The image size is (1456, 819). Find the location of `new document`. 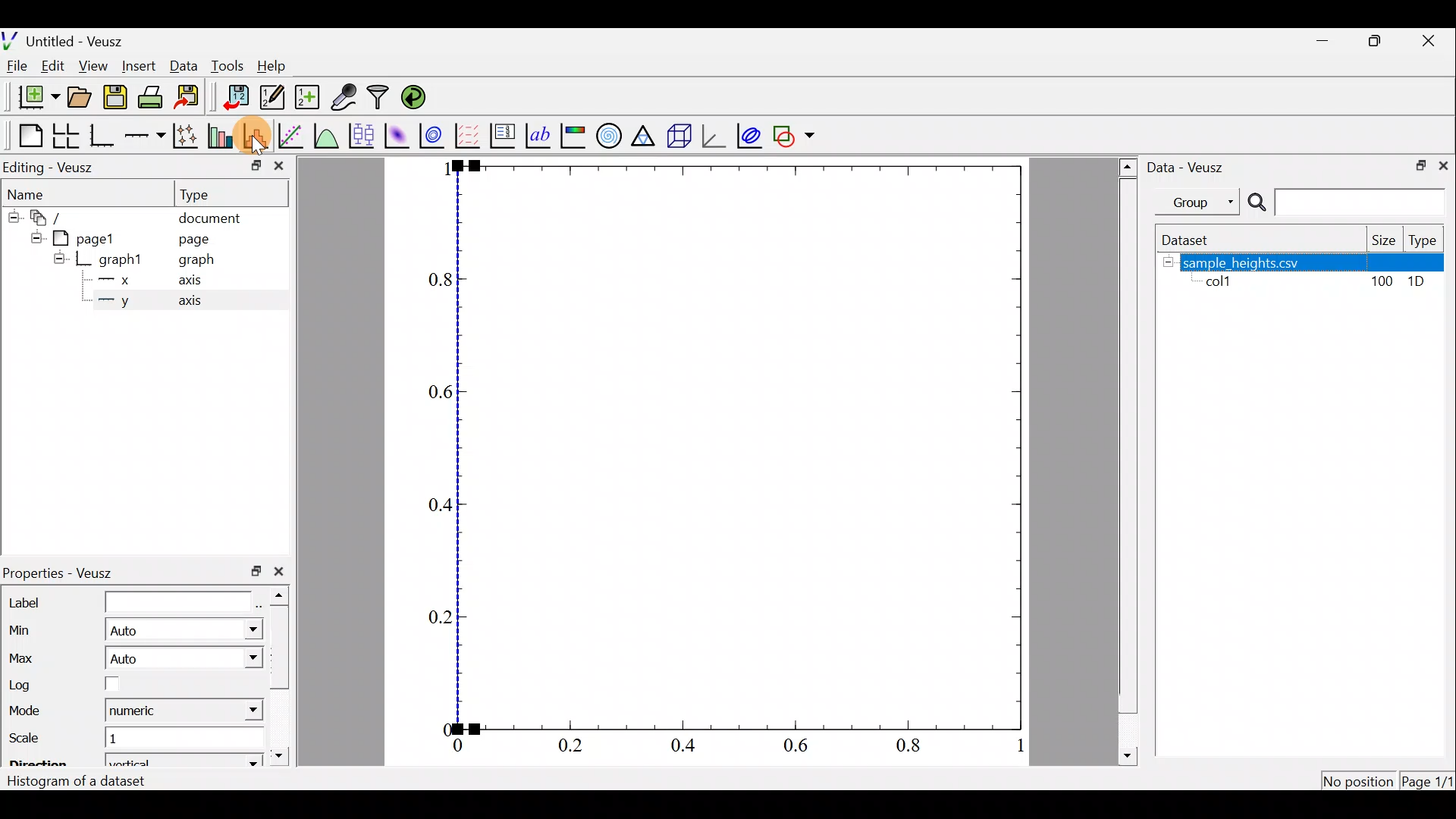

new document is located at coordinates (33, 101).